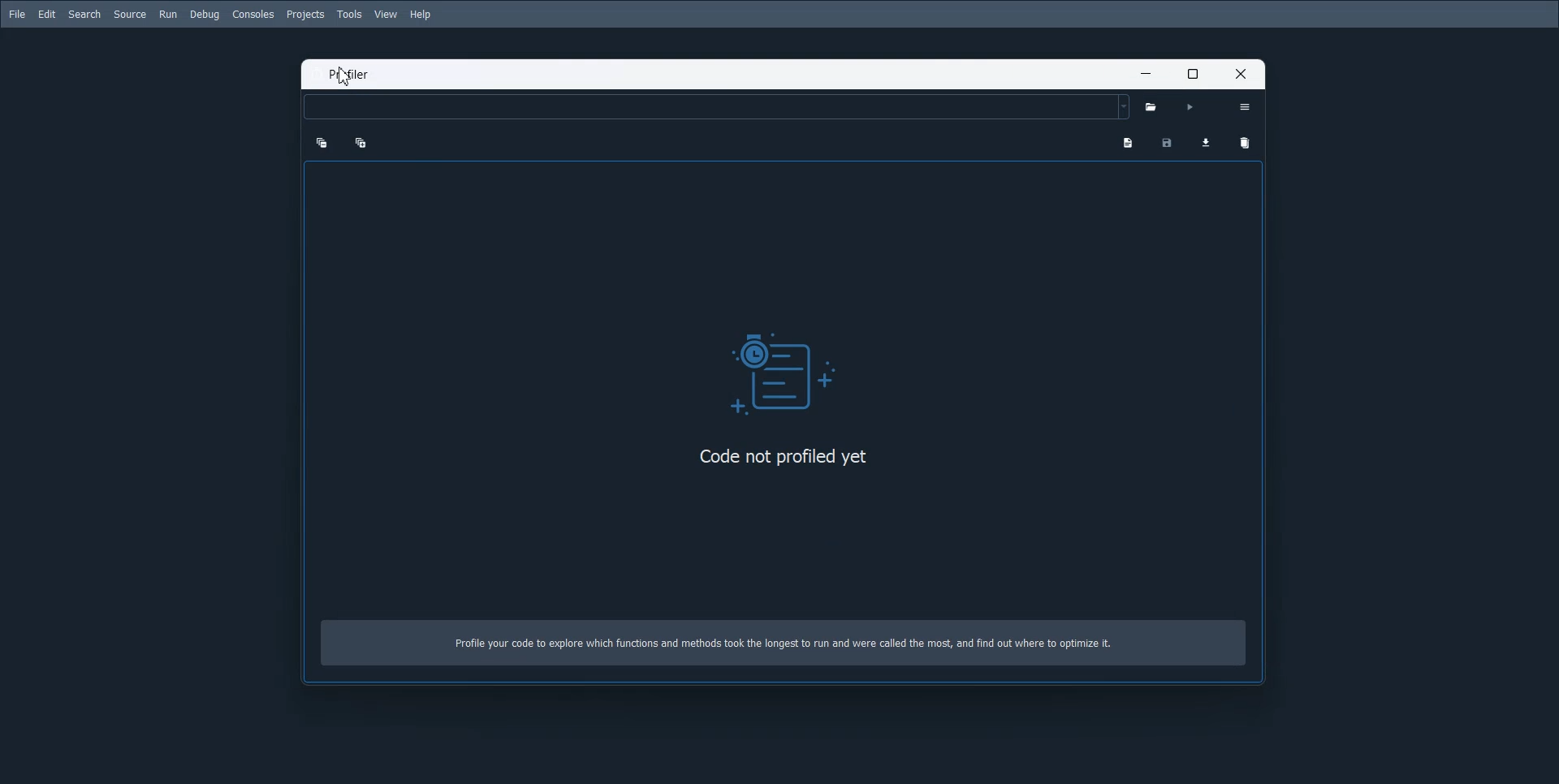 The image size is (1559, 784). What do you see at coordinates (788, 370) in the screenshot?
I see `Logo ` at bounding box center [788, 370].